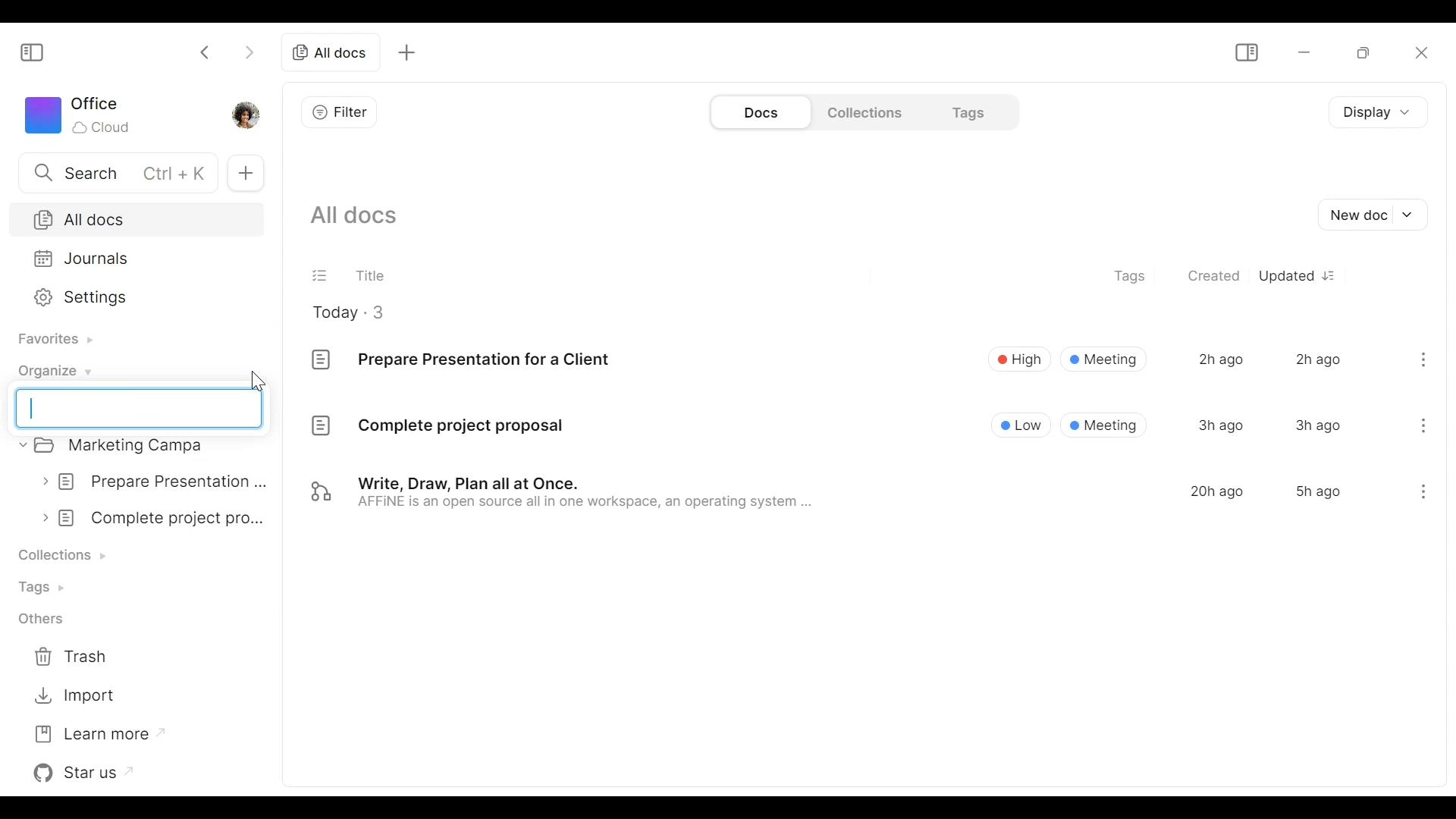 This screenshot has width=1456, height=819. I want to click on Learn more, so click(94, 733).